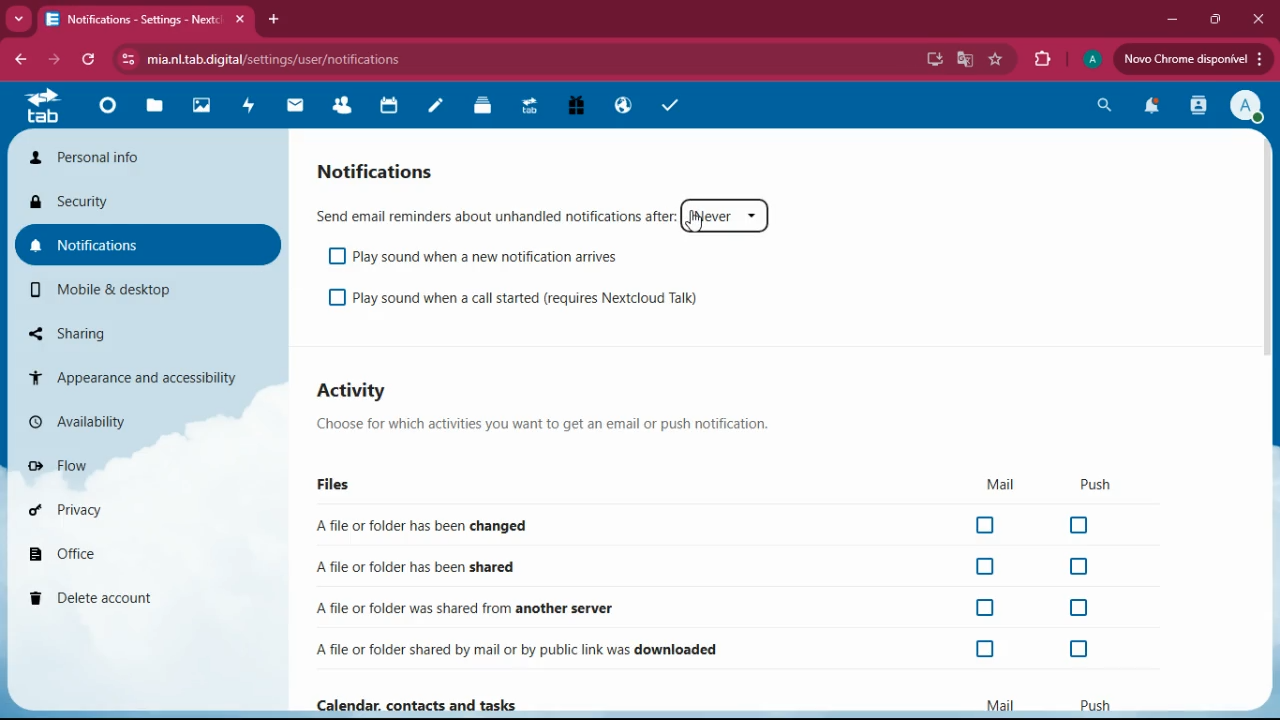 This screenshot has width=1280, height=720. I want to click on search, so click(1105, 103).